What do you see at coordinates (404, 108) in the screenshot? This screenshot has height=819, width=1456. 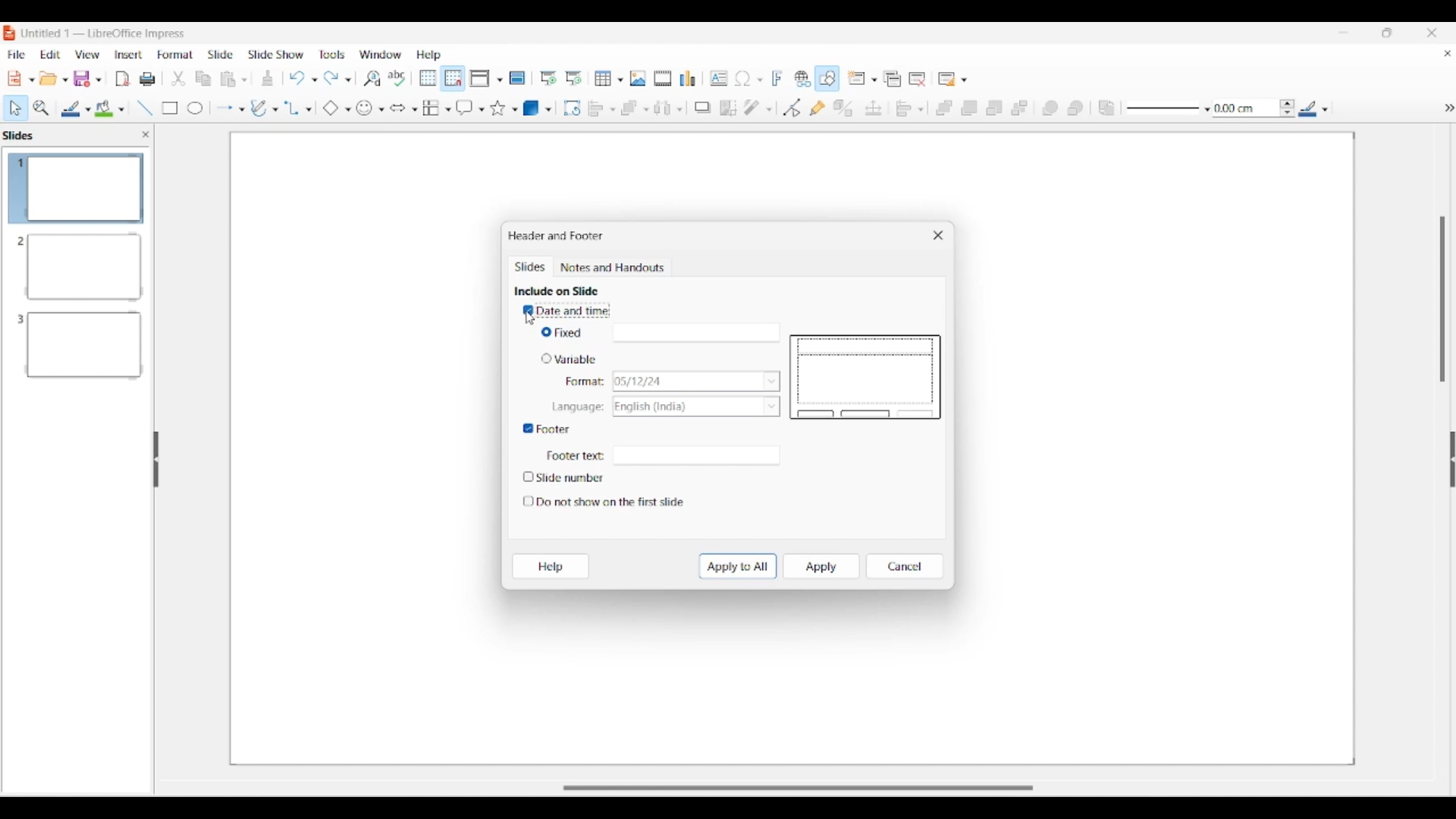 I see `Block arrow options` at bounding box center [404, 108].